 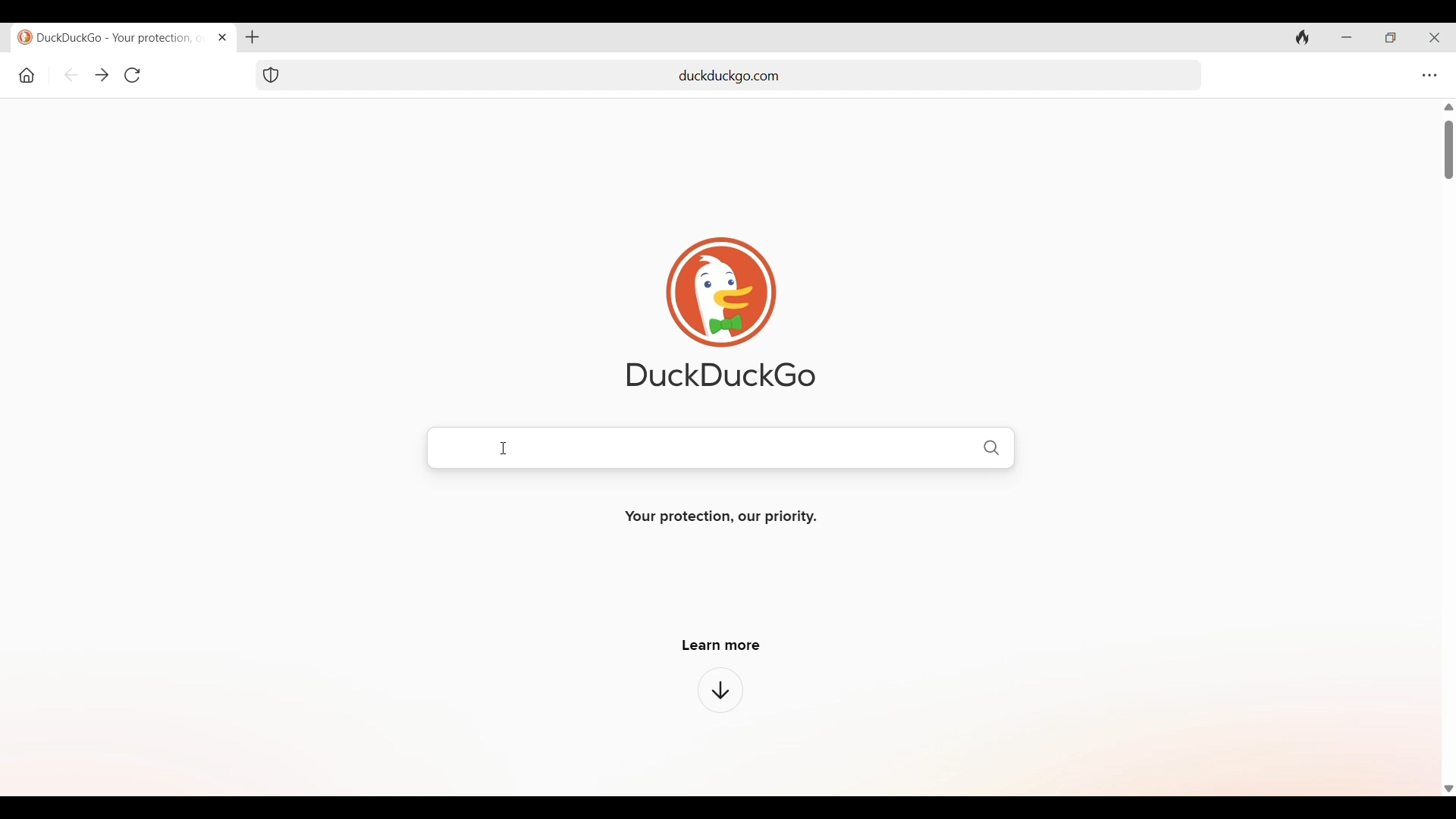 What do you see at coordinates (720, 690) in the screenshot?
I see `Click to learn more about browser` at bounding box center [720, 690].